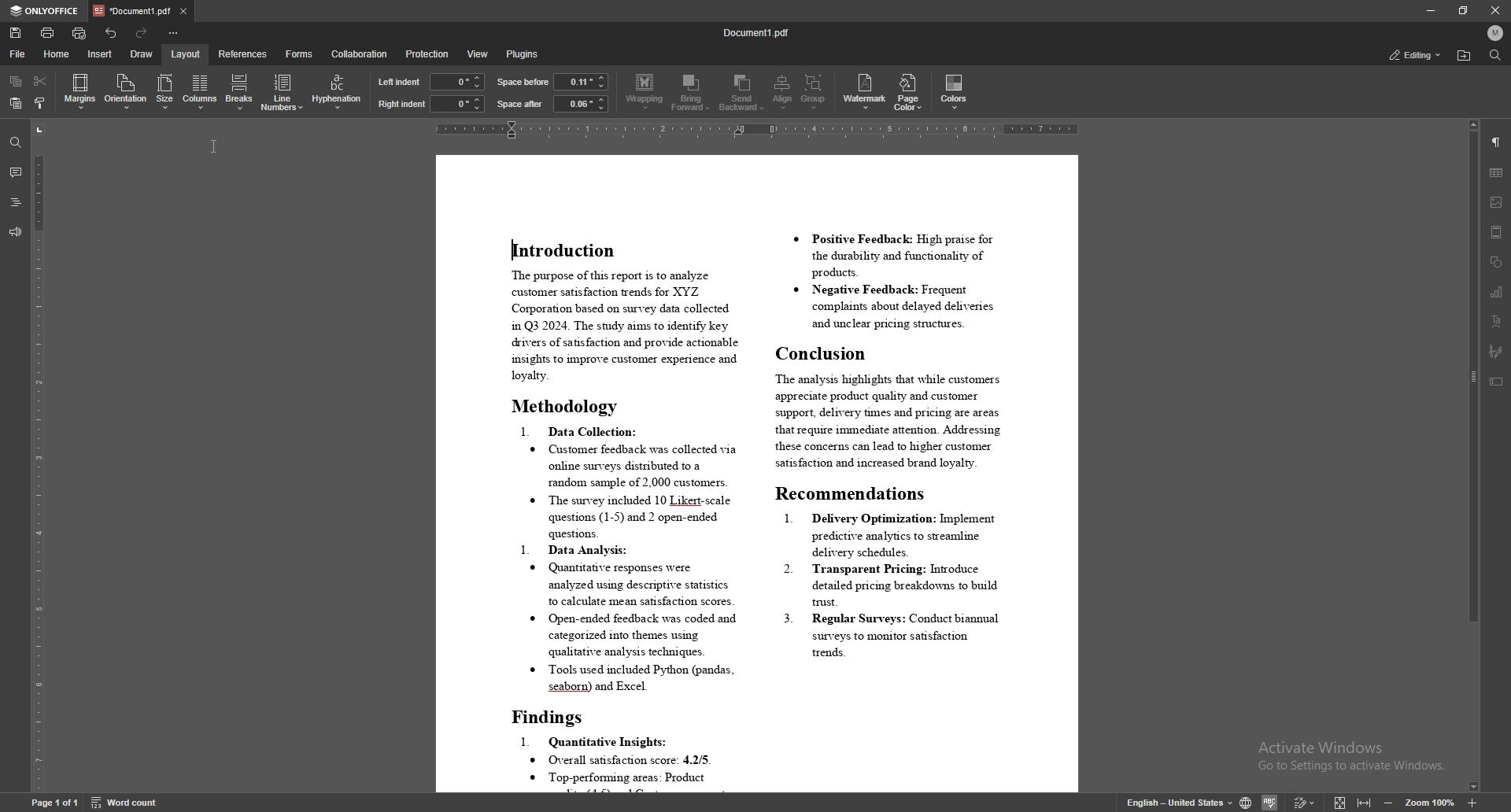 The image size is (1511, 812). What do you see at coordinates (402, 104) in the screenshot?
I see `right indent` at bounding box center [402, 104].